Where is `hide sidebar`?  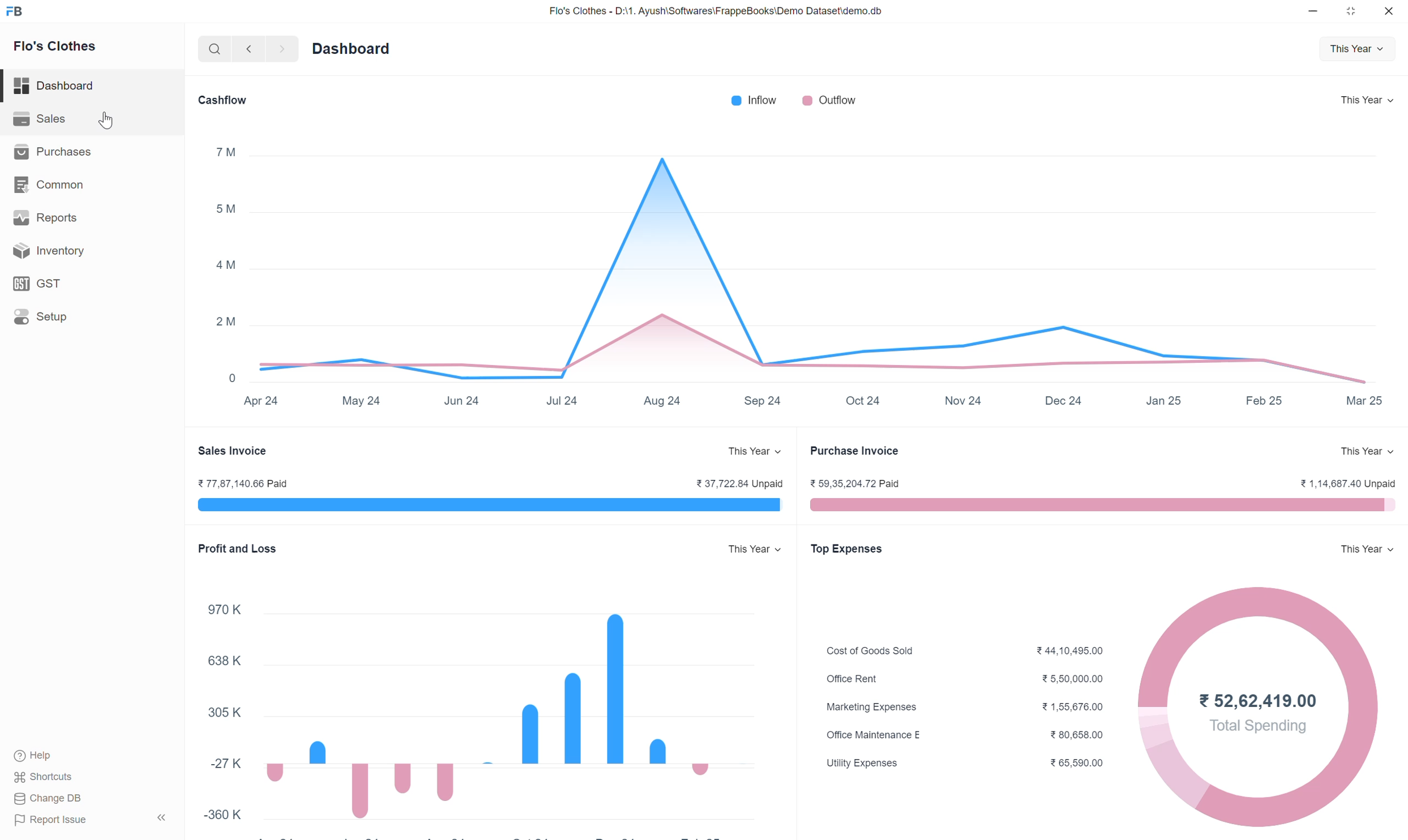 hide sidebar is located at coordinates (163, 818).